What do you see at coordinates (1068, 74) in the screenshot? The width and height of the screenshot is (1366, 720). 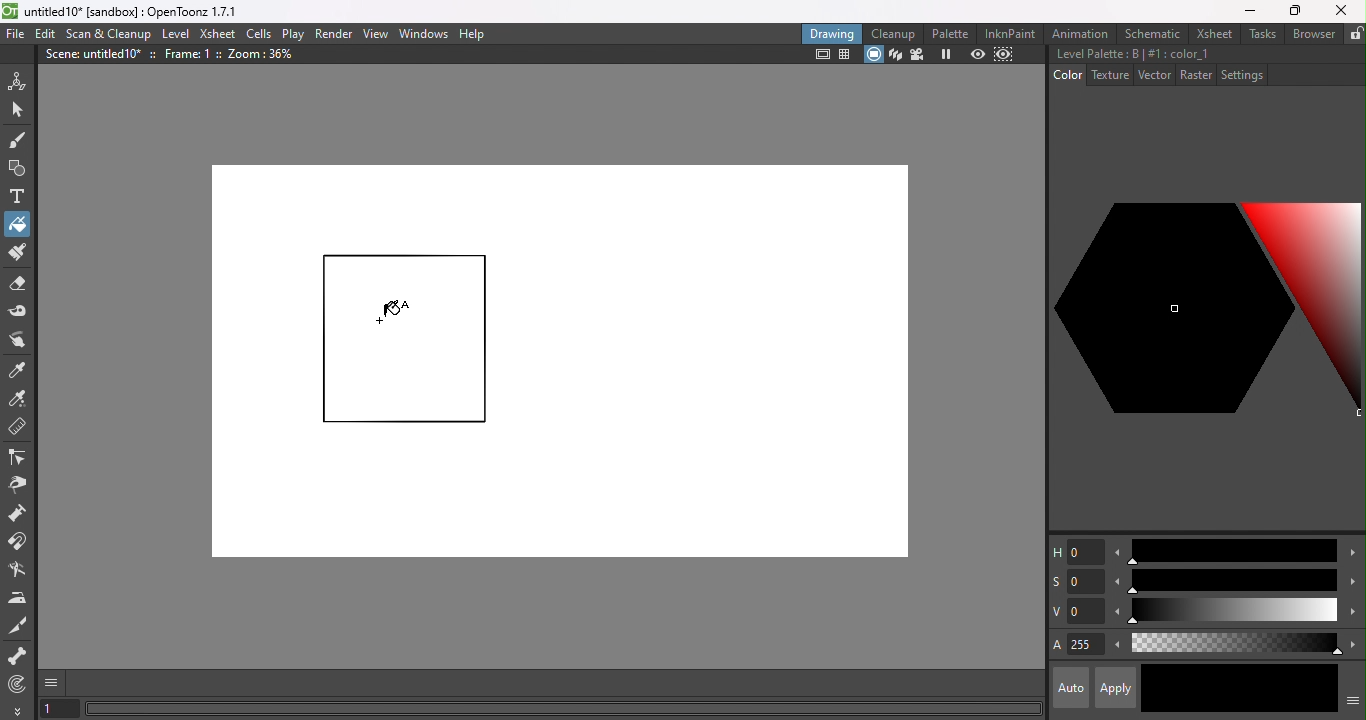 I see `Color` at bounding box center [1068, 74].